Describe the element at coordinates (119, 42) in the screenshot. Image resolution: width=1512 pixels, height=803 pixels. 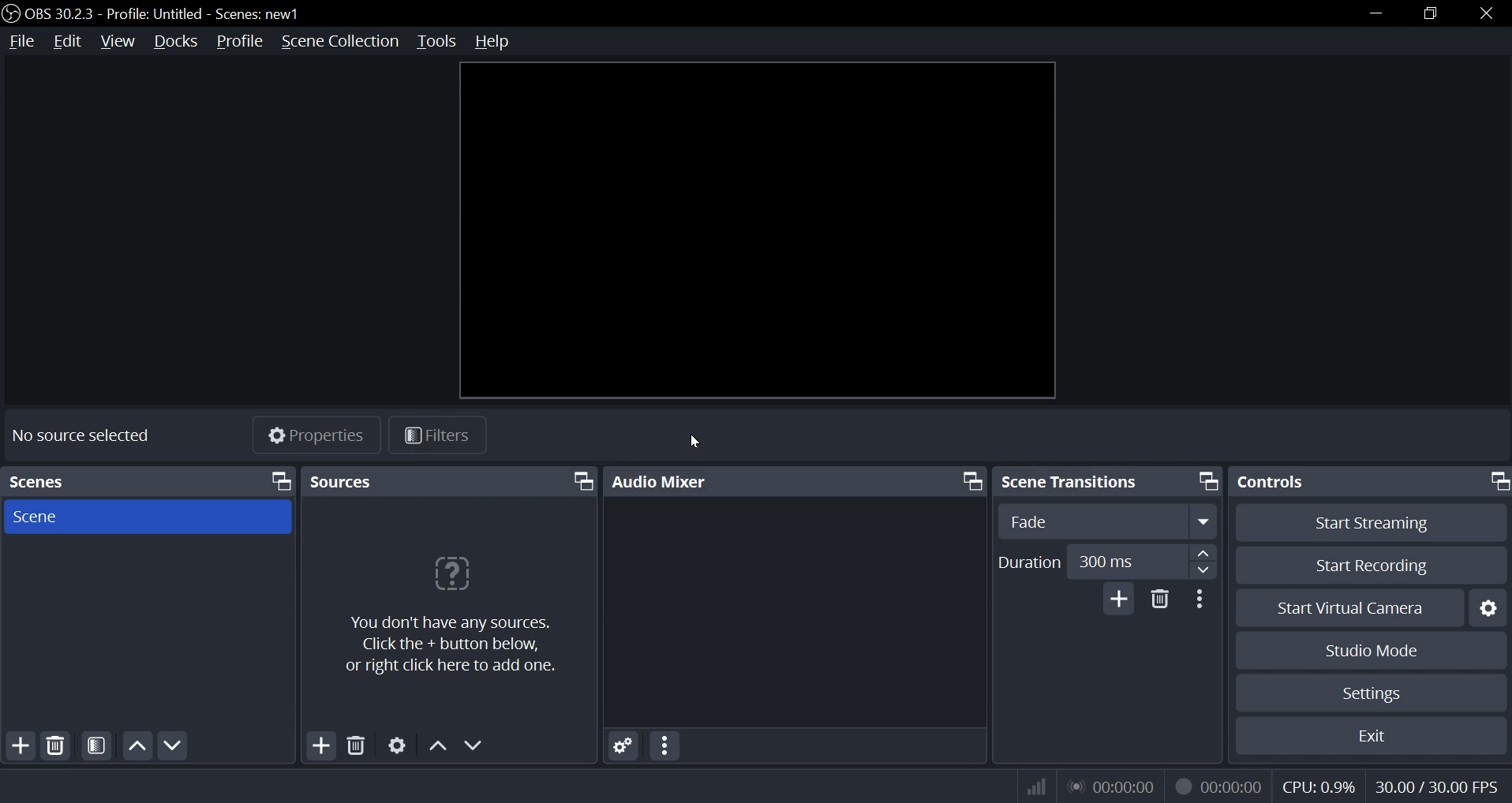
I see `view` at that location.